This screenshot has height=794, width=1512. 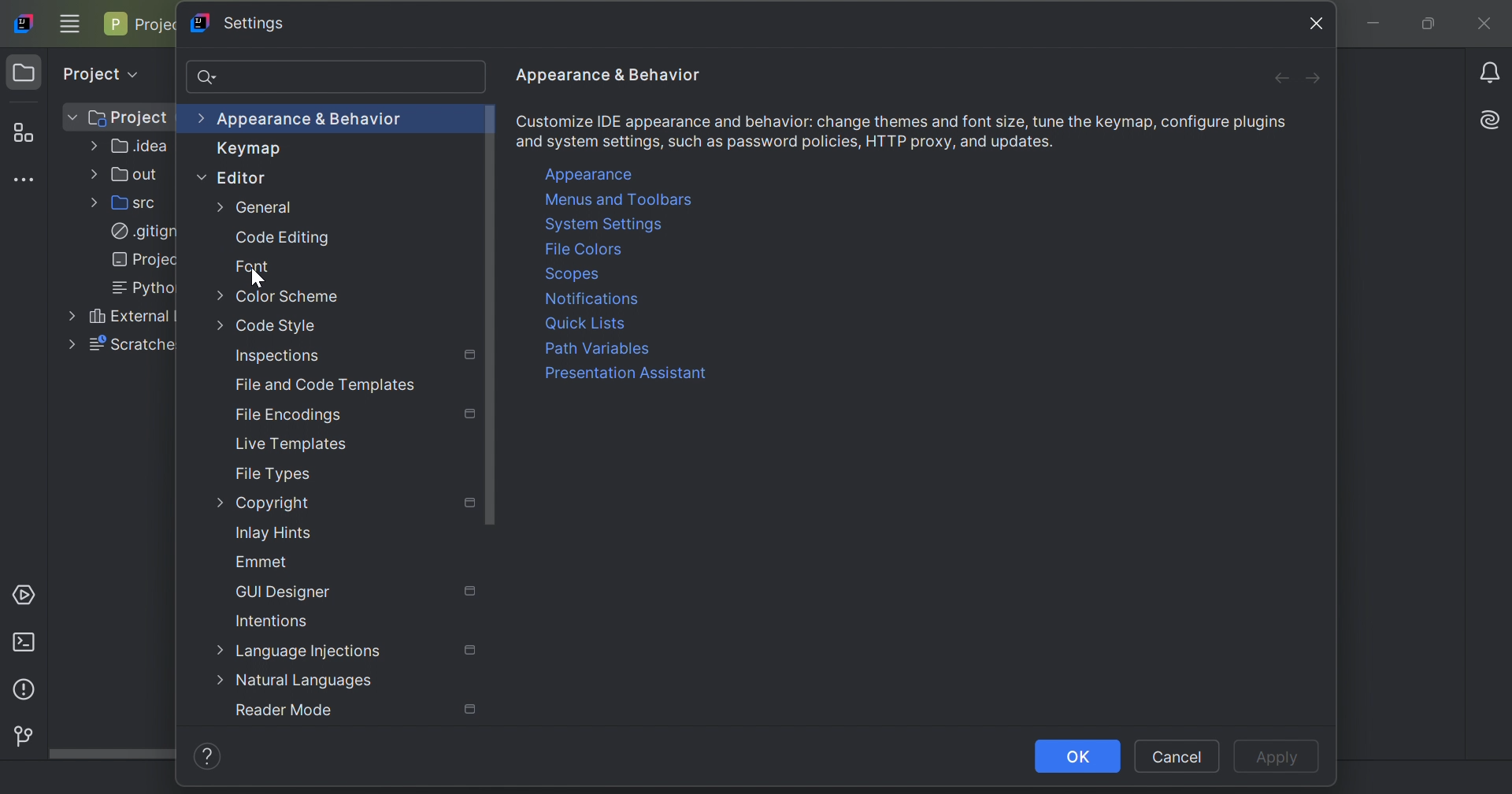 What do you see at coordinates (470, 414) in the screenshot?
I see `Settings marked with this icon are only applied to the current project. Non-marked settings are applied to all projects.` at bounding box center [470, 414].